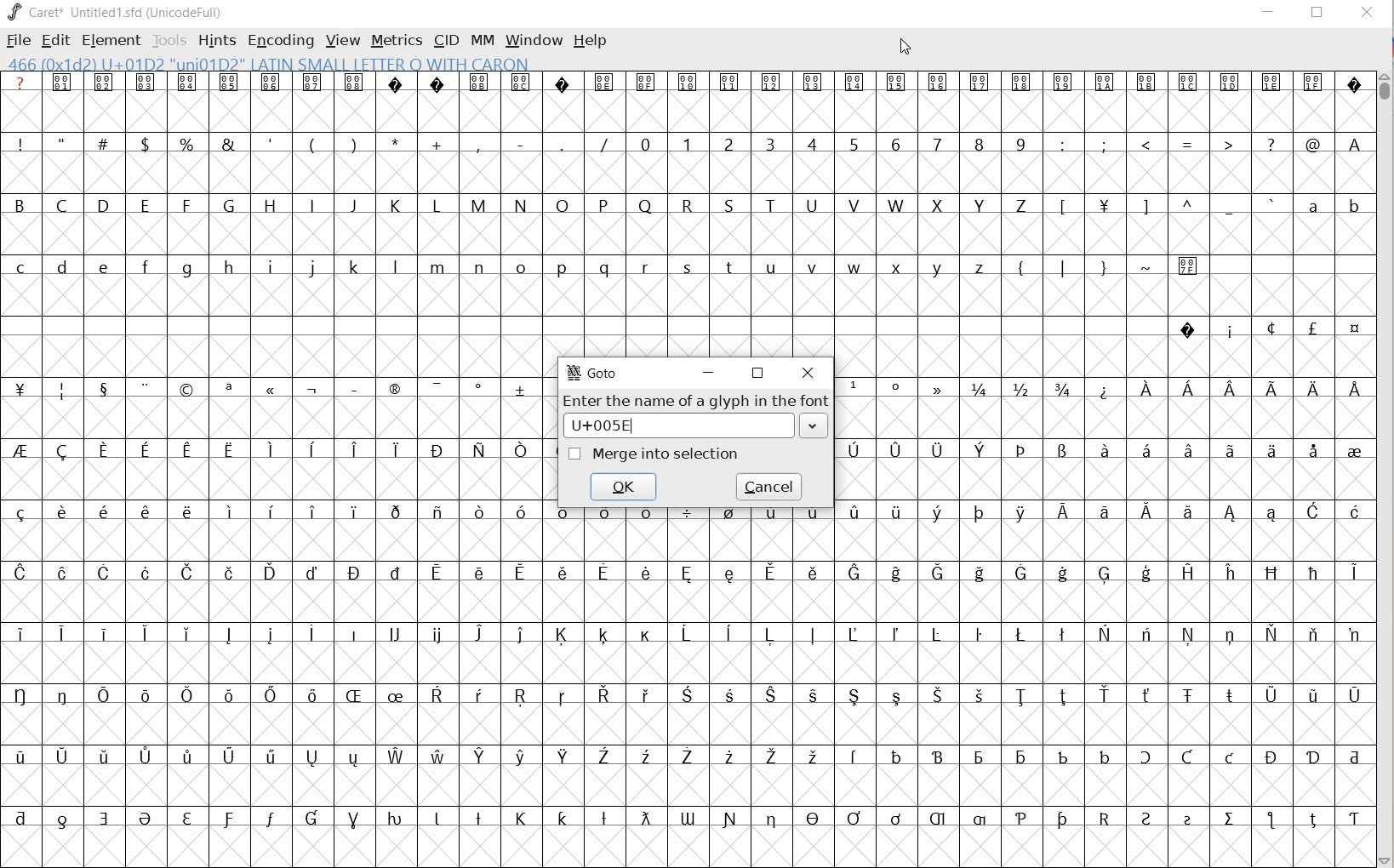 The width and height of the screenshot is (1394, 868). Describe the element at coordinates (117, 11) in the screenshot. I see `caret* untitled1.sfd (unicodefull)` at that location.